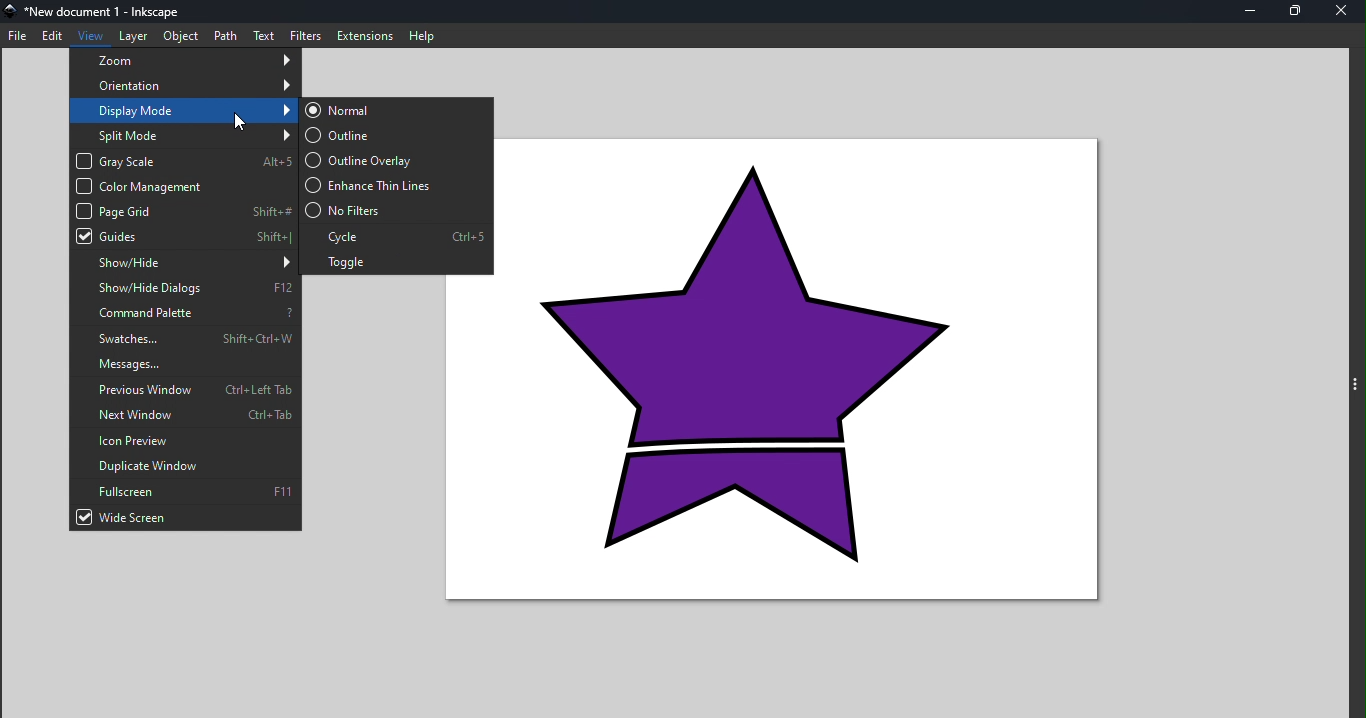 This screenshot has height=718, width=1366. Describe the element at coordinates (185, 492) in the screenshot. I see `Full screen` at that location.